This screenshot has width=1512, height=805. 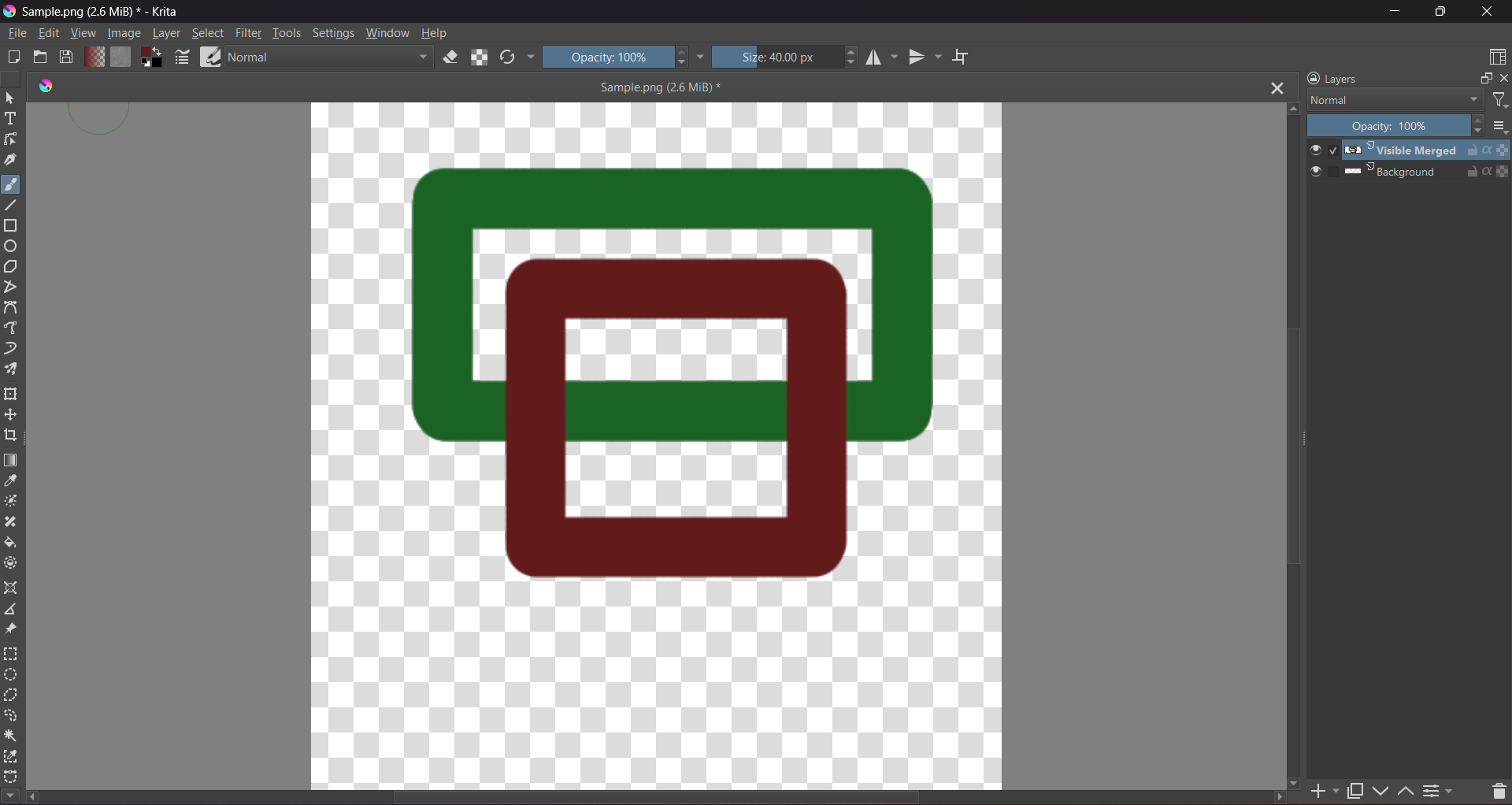 I want to click on Layer Properties, so click(x=1440, y=788).